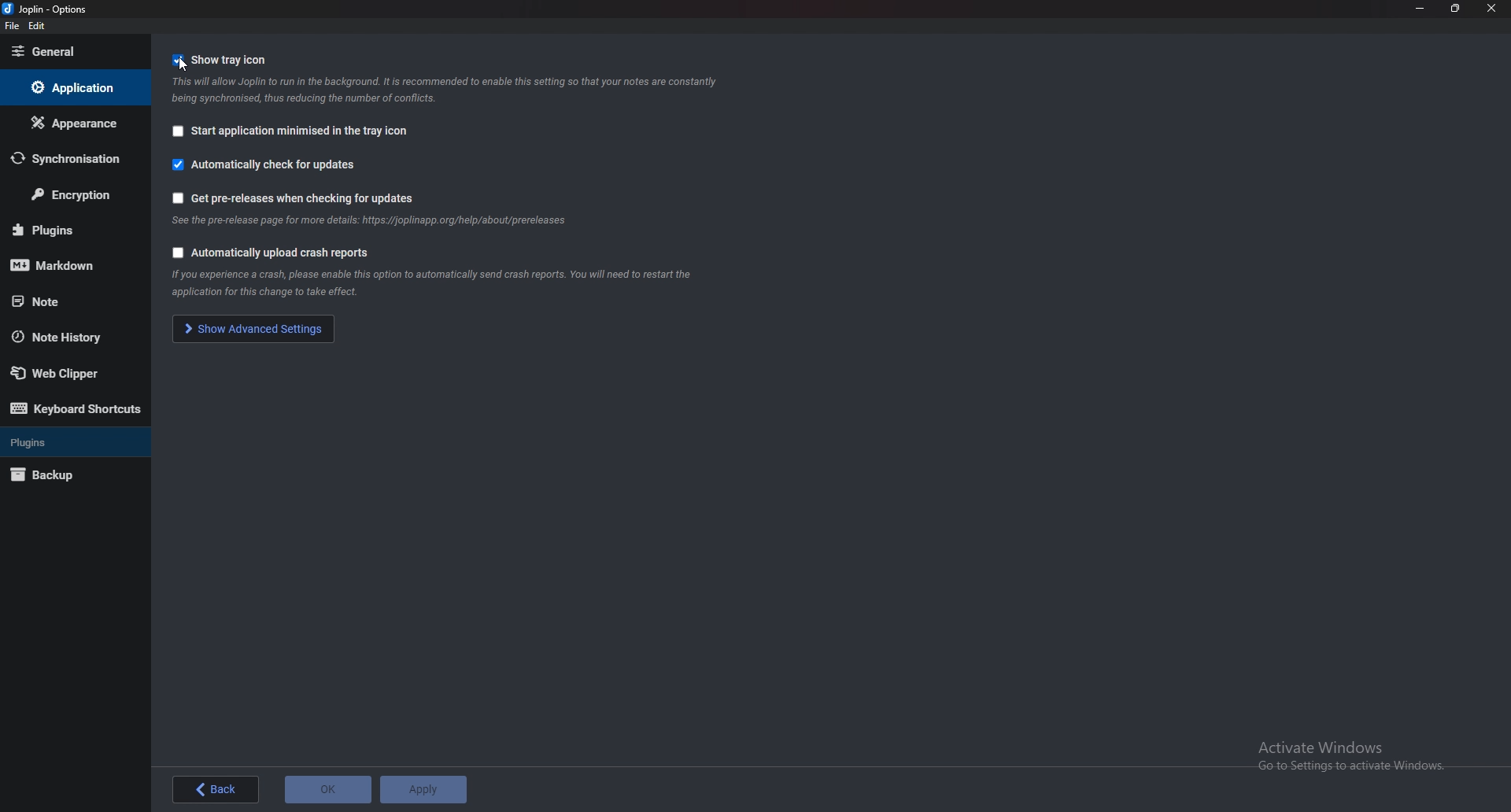  What do you see at coordinates (64, 474) in the screenshot?
I see `Back up` at bounding box center [64, 474].